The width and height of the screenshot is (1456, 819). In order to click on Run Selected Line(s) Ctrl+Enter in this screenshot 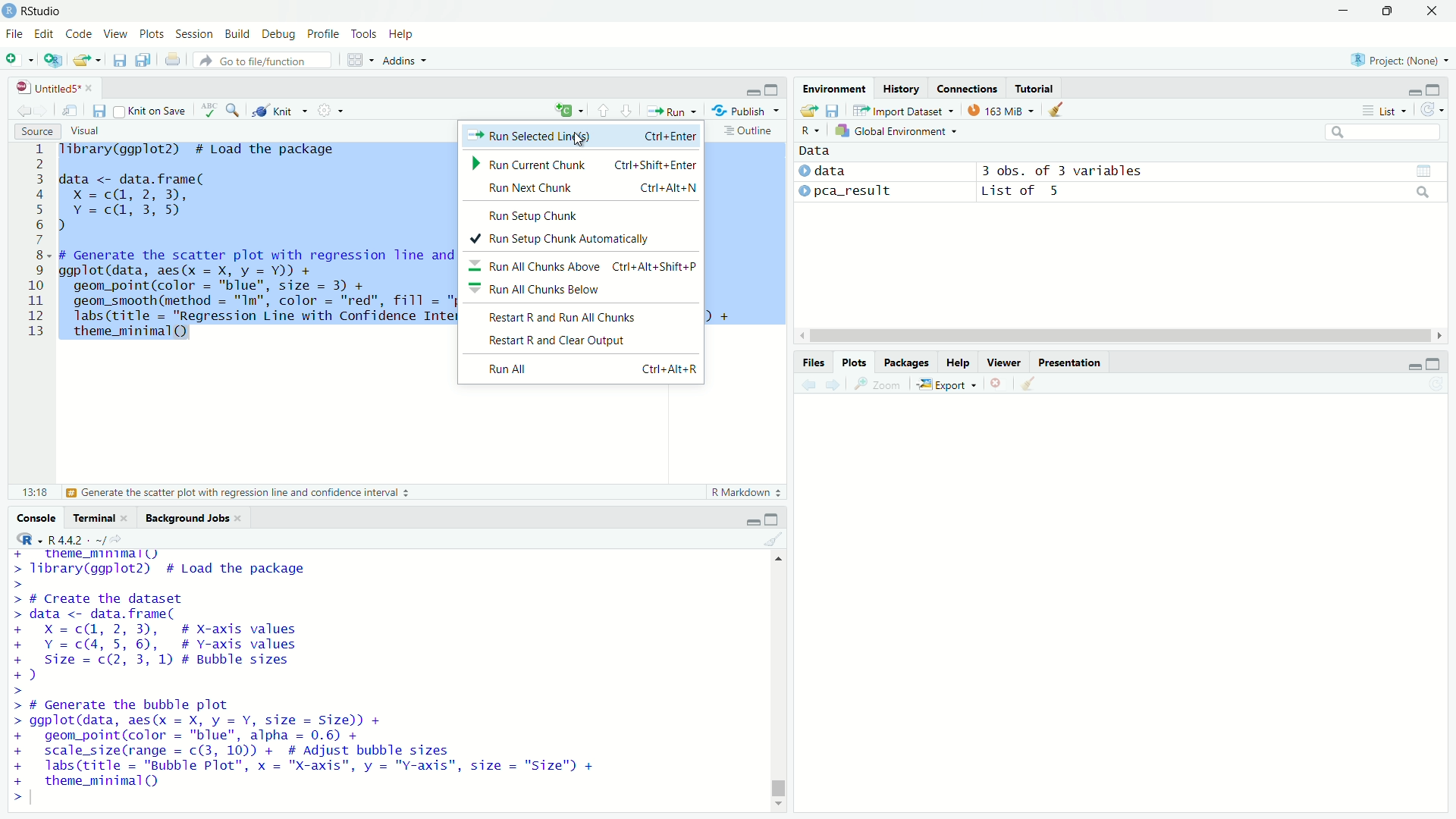, I will do `click(581, 136)`.